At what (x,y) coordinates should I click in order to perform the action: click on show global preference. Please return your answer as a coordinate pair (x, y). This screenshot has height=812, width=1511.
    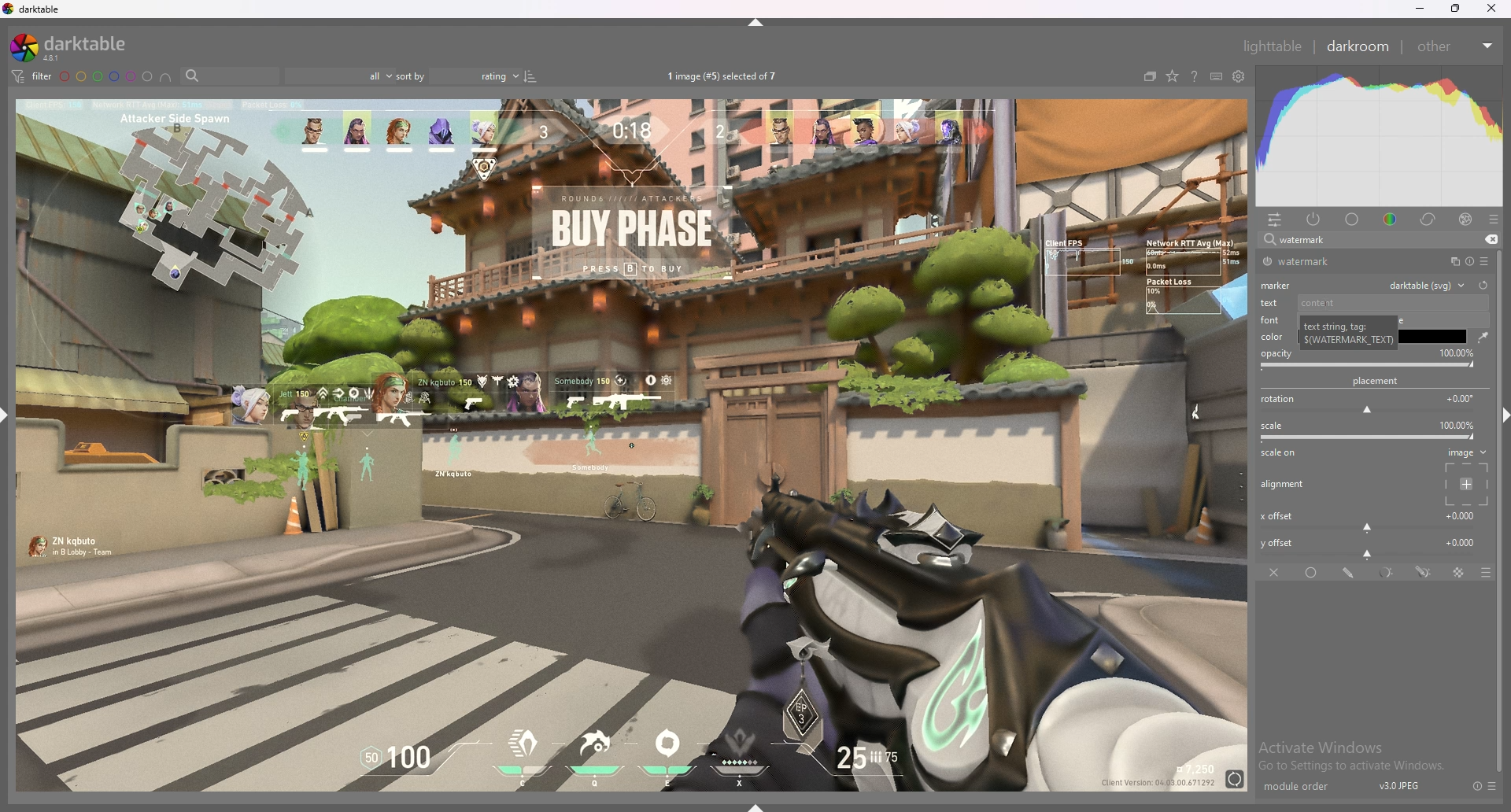
    Looking at the image, I should click on (1239, 77).